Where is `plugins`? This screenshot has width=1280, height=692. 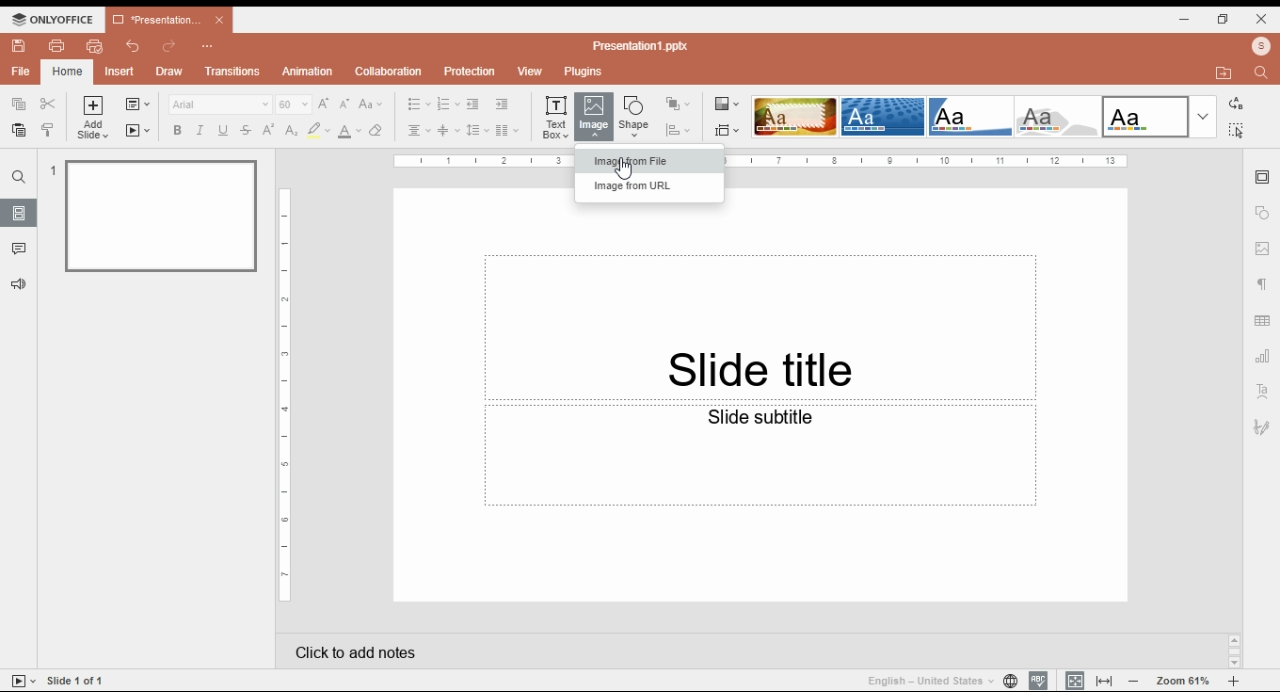
plugins is located at coordinates (584, 72).